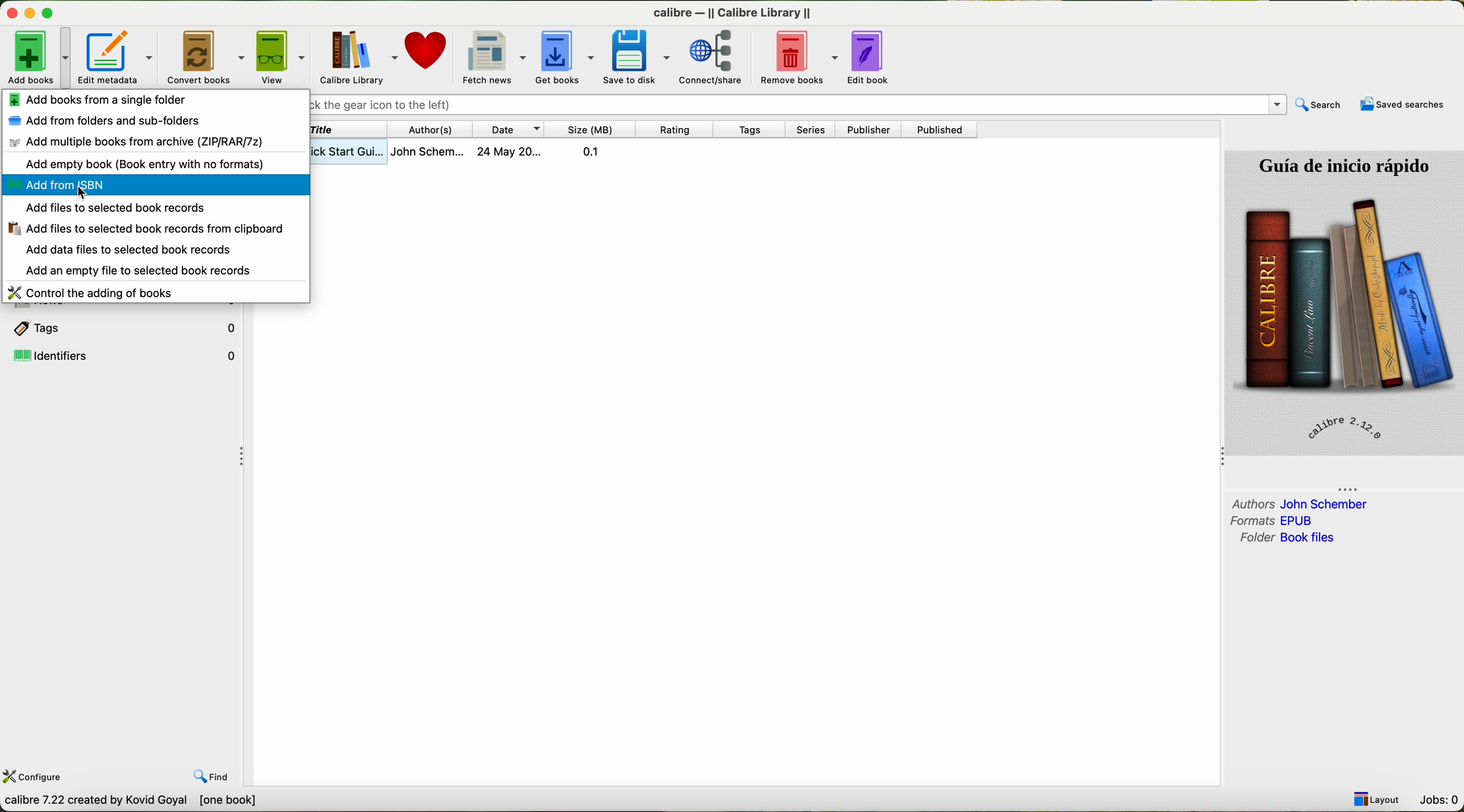 The width and height of the screenshot is (1464, 812). Describe the element at coordinates (343, 129) in the screenshot. I see `title` at that location.